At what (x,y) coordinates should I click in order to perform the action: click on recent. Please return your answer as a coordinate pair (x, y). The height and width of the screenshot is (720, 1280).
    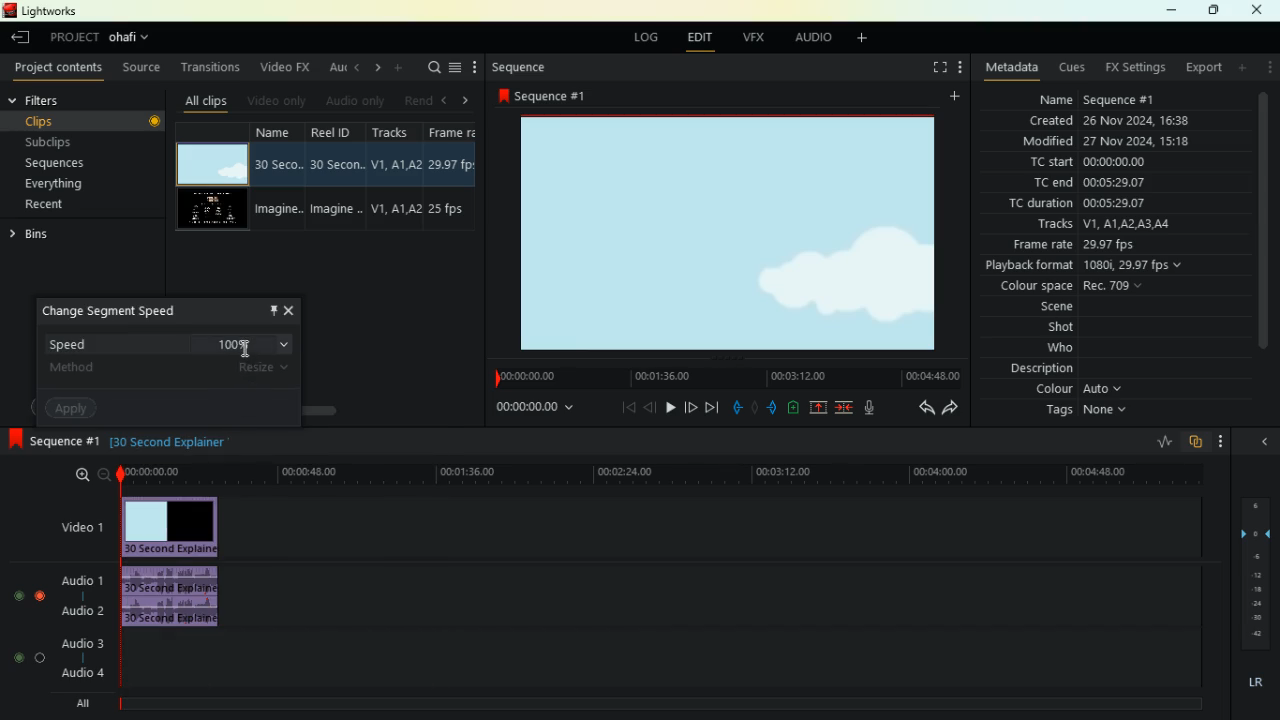
    Looking at the image, I should click on (61, 204).